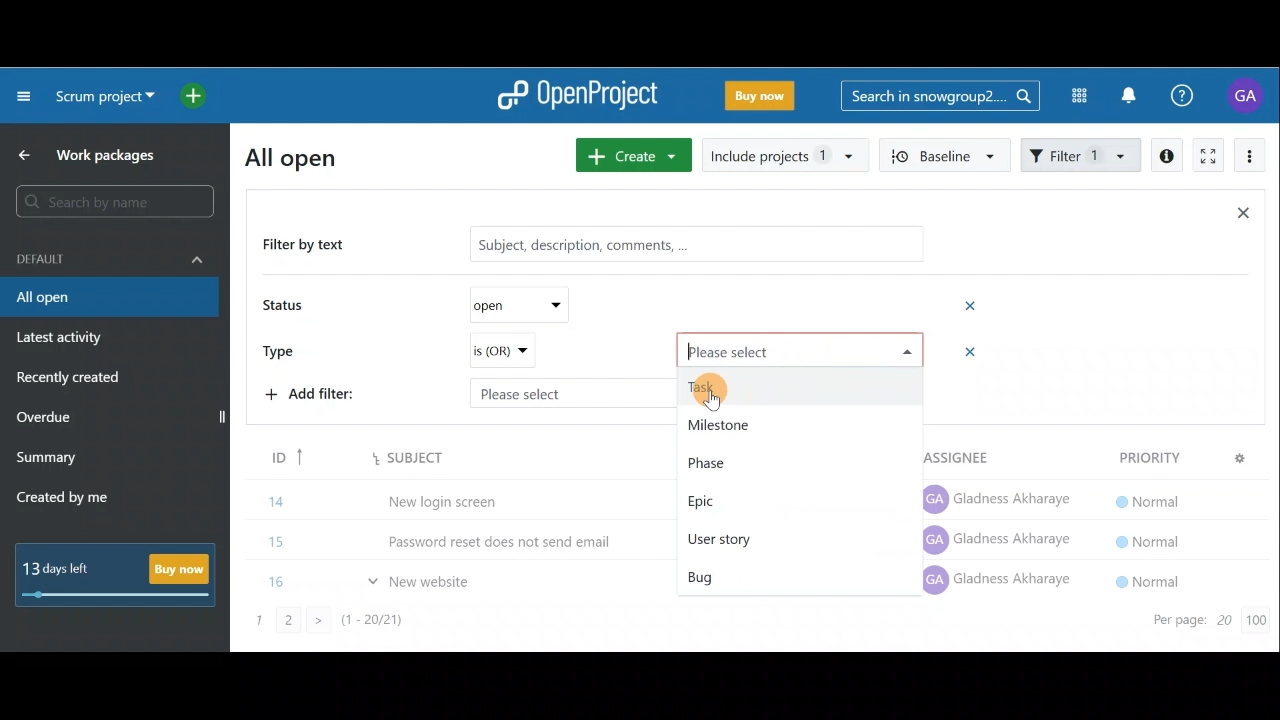  What do you see at coordinates (122, 574) in the screenshot?
I see `Buy now` at bounding box center [122, 574].